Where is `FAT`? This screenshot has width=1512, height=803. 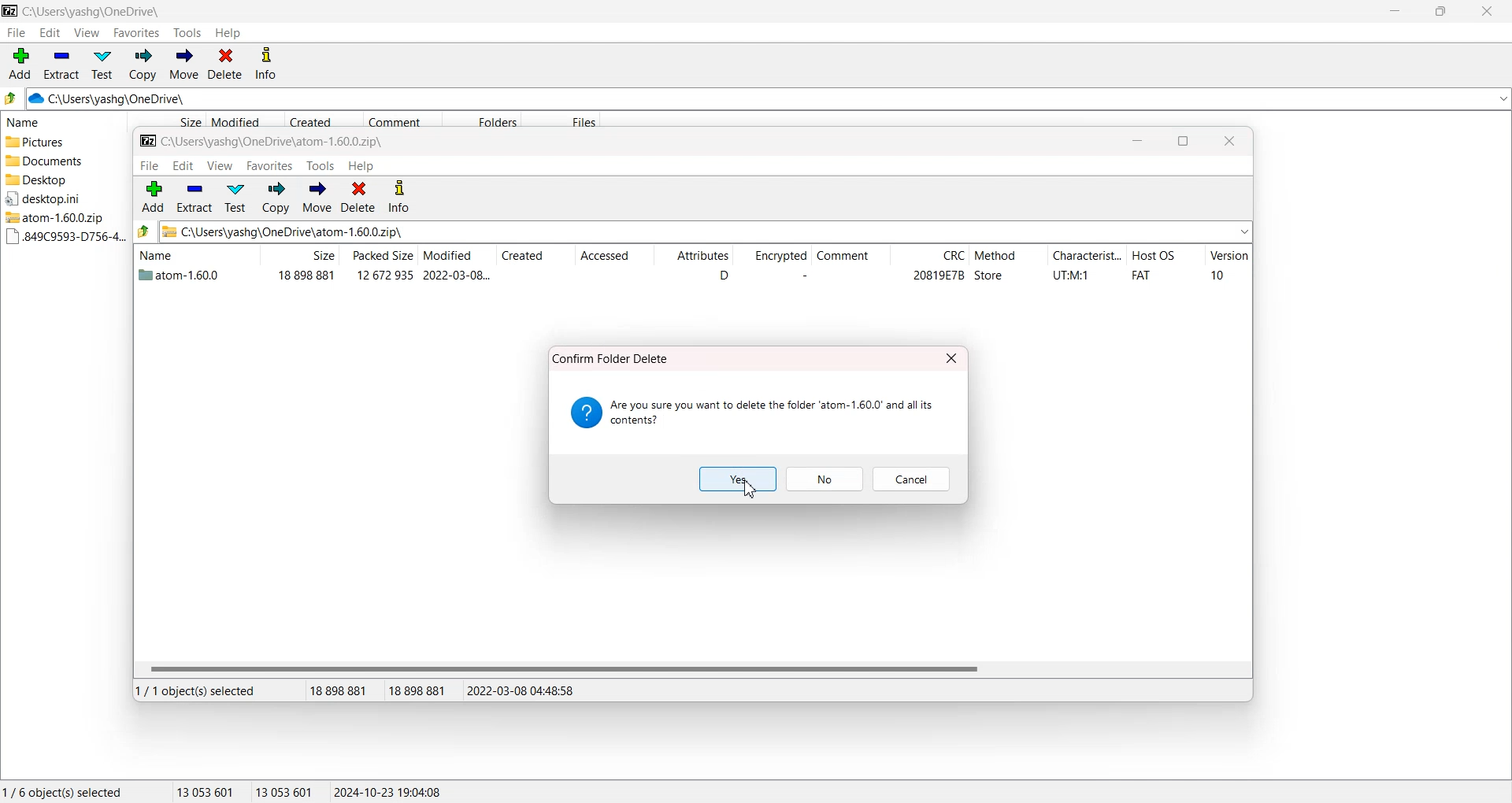
FAT is located at coordinates (1141, 276).